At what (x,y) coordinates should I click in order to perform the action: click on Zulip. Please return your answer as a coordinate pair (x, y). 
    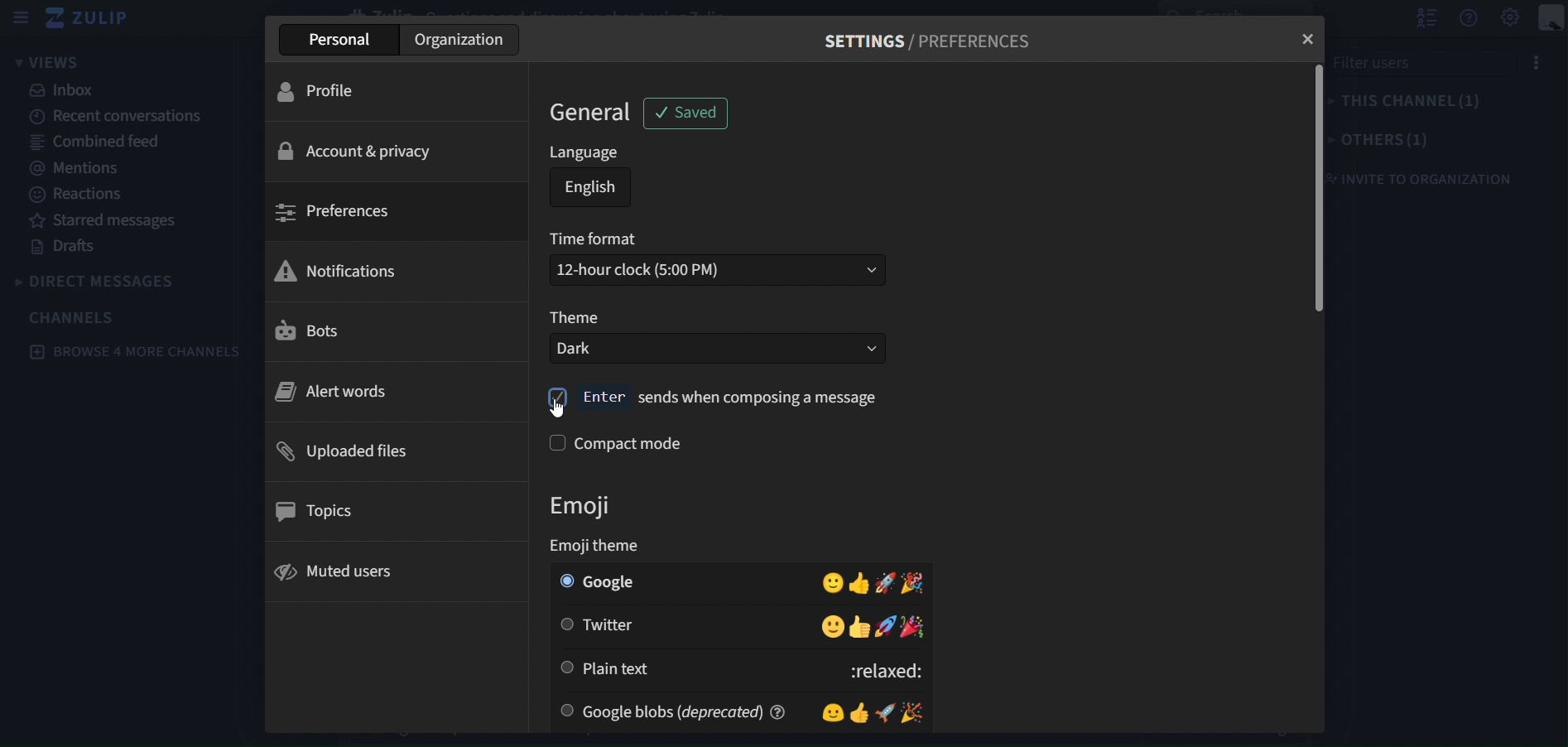
    Looking at the image, I should click on (99, 20).